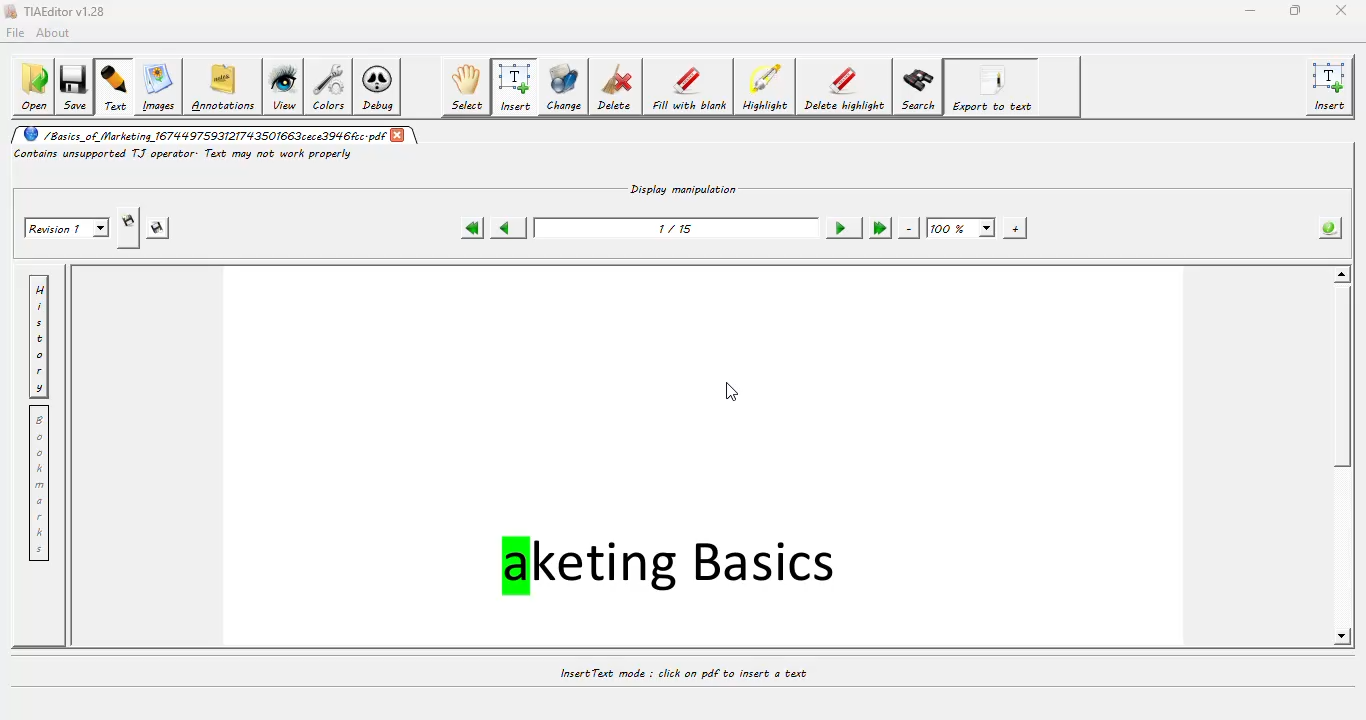 Image resolution: width=1366 pixels, height=720 pixels. What do you see at coordinates (1292, 10) in the screenshot?
I see `maximize` at bounding box center [1292, 10].